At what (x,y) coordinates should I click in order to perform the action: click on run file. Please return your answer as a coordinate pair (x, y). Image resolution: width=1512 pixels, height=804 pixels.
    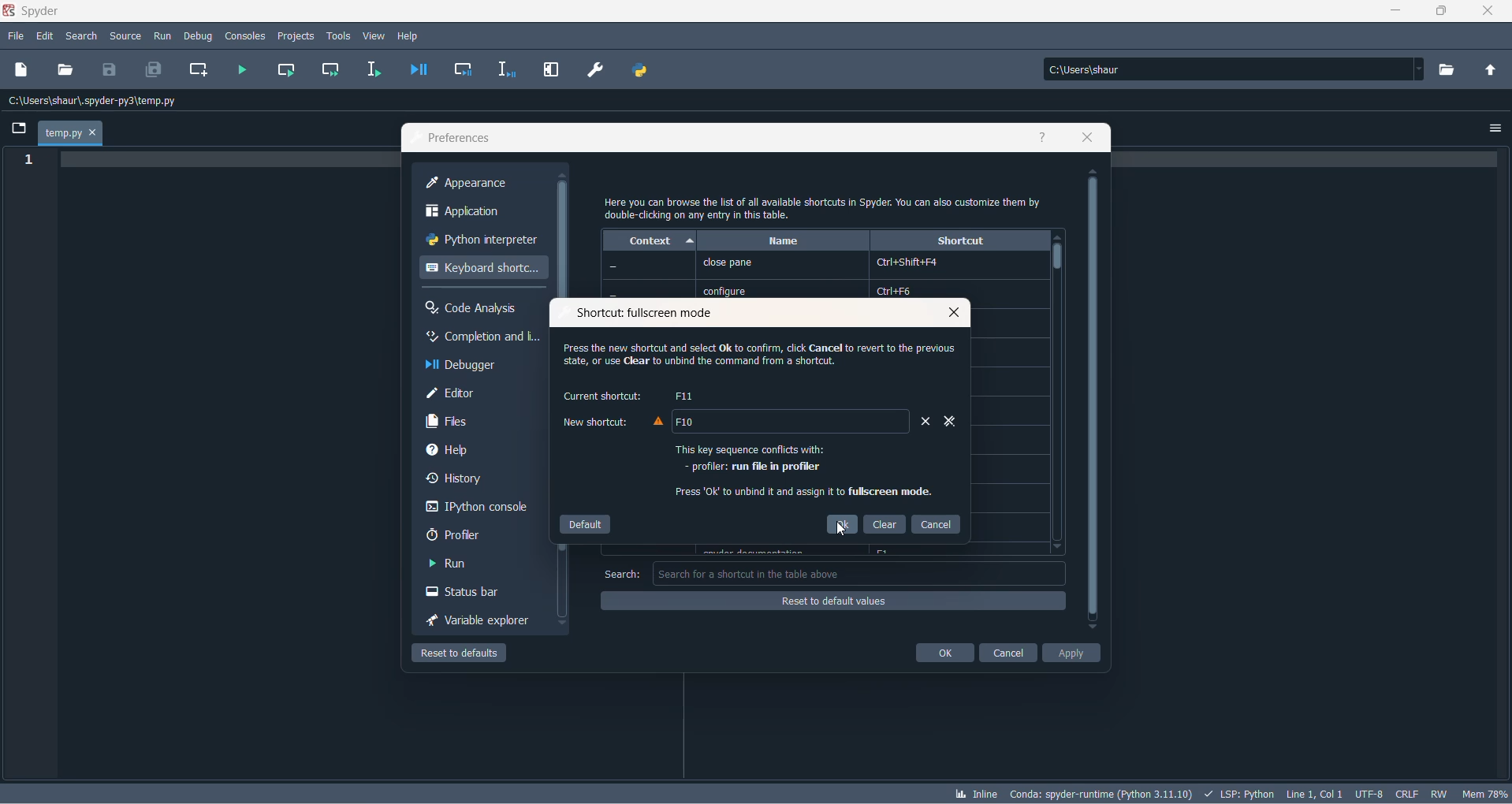
    Looking at the image, I should click on (243, 70).